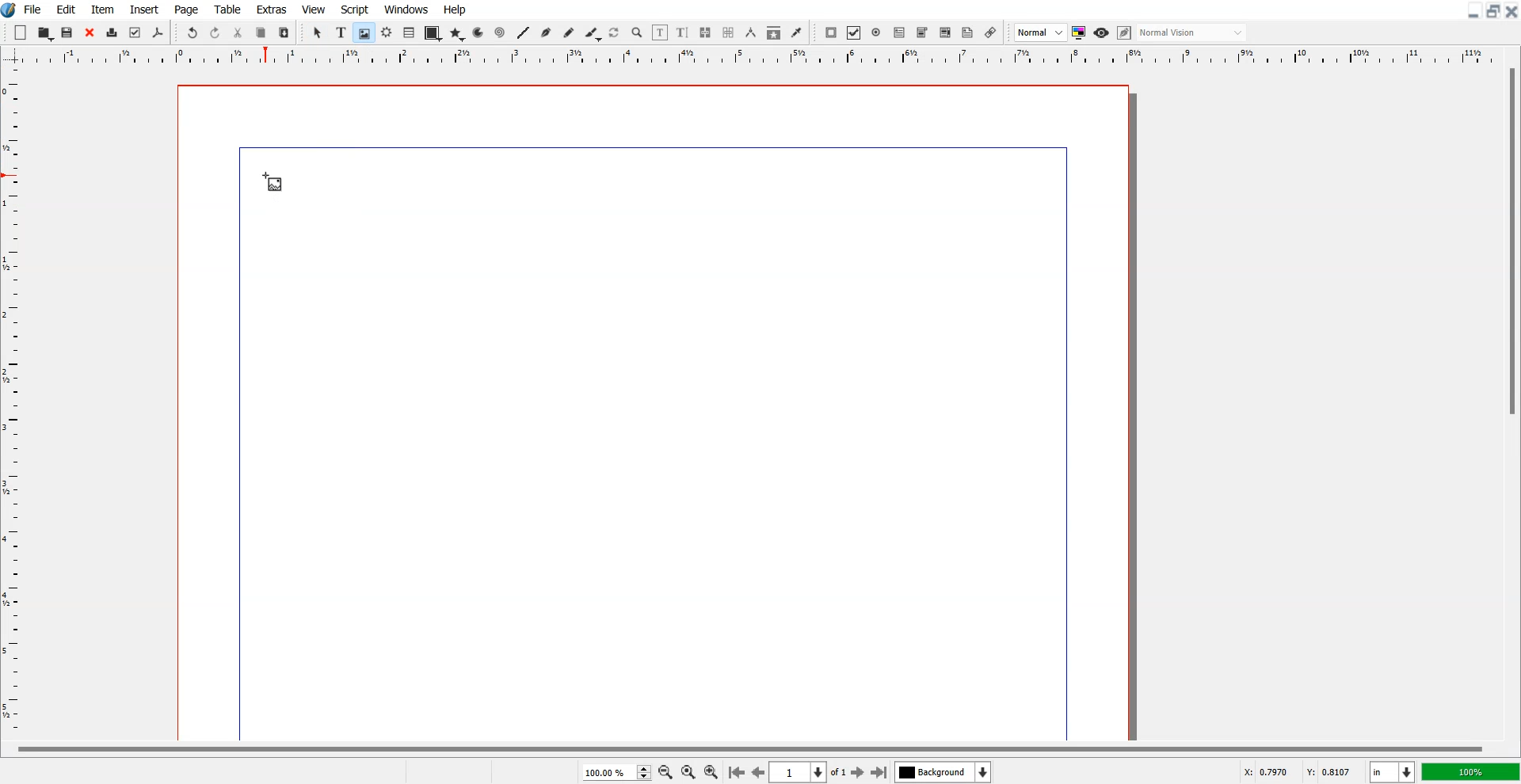  Describe the element at coordinates (1510, 401) in the screenshot. I see `Vertical Scroll Bar` at that location.